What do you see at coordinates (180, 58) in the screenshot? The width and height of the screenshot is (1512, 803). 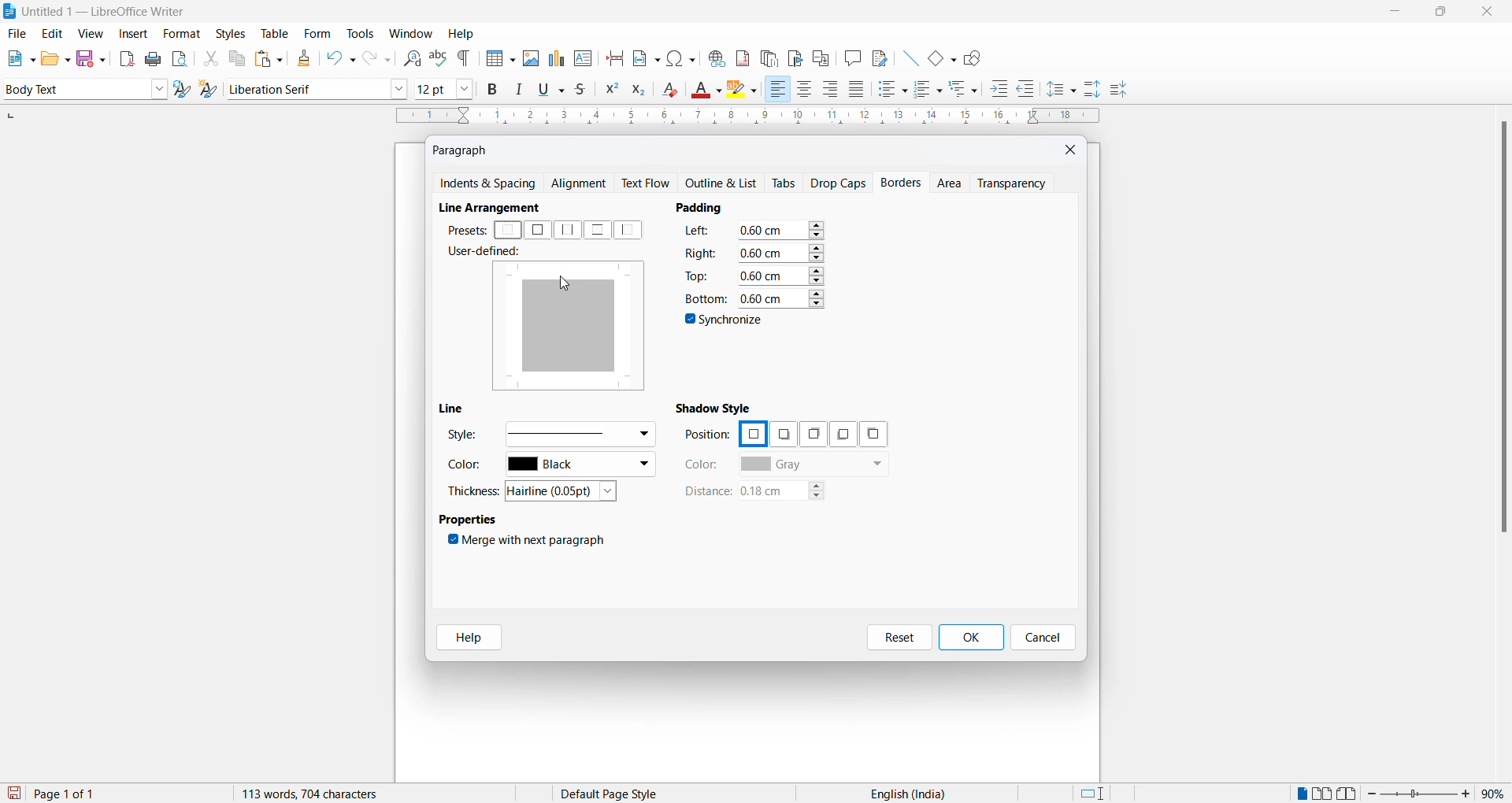 I see `print preview` at bounding box center [180, 58].